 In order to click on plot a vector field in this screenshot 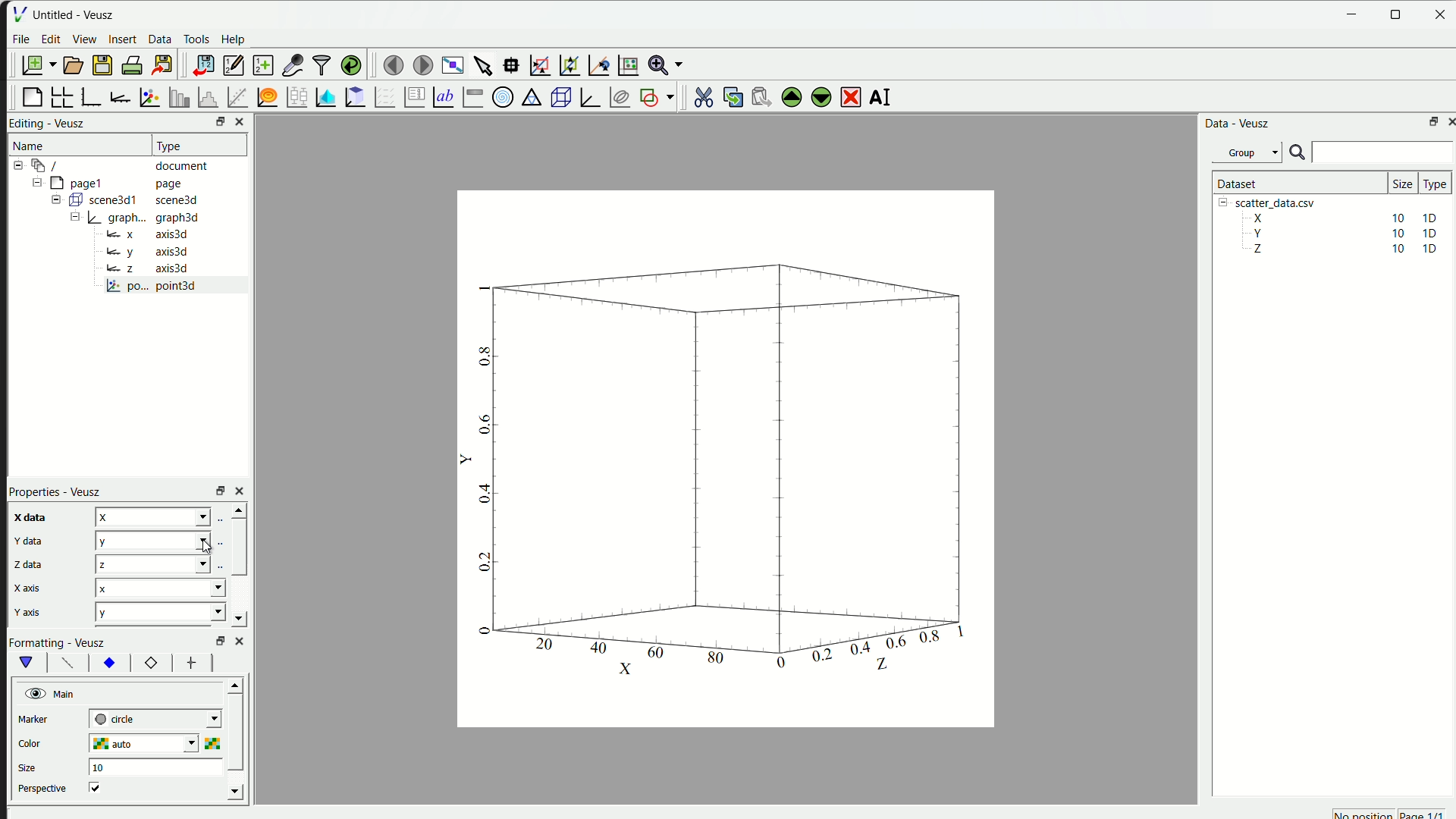, I will do `click(382, 97)`.